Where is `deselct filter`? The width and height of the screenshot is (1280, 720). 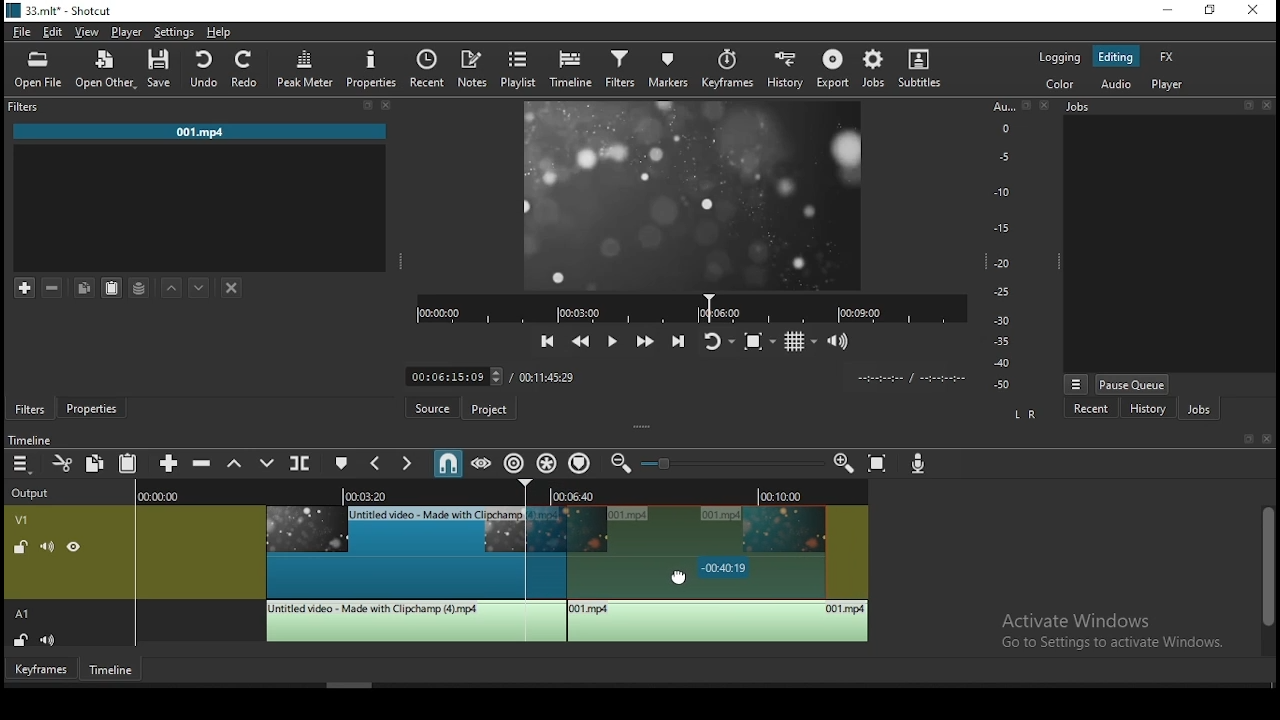 deselct filter is located at coordinates (232, 287).